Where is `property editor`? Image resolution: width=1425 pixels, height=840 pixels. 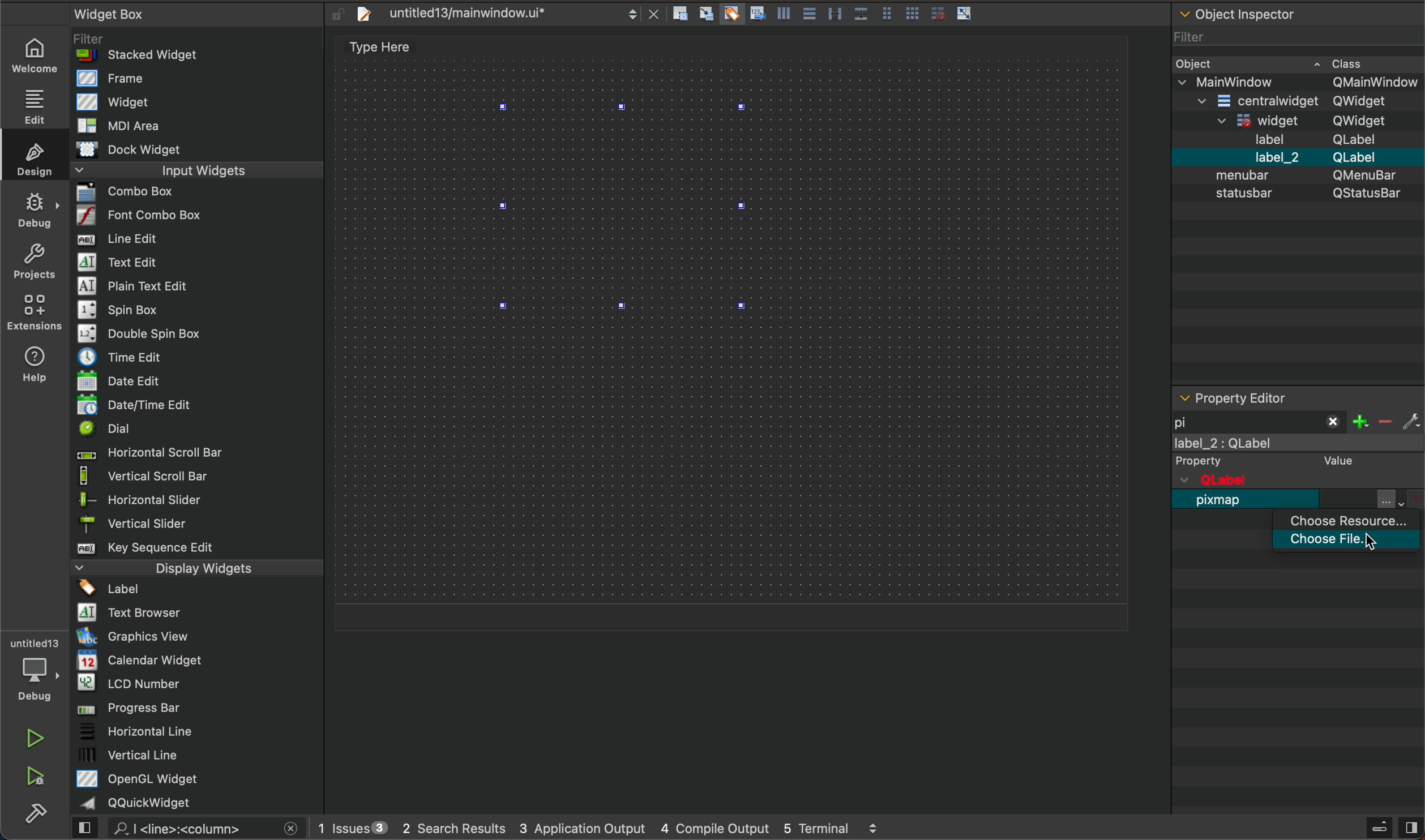 property editor is located at coordinates (1276, 397).